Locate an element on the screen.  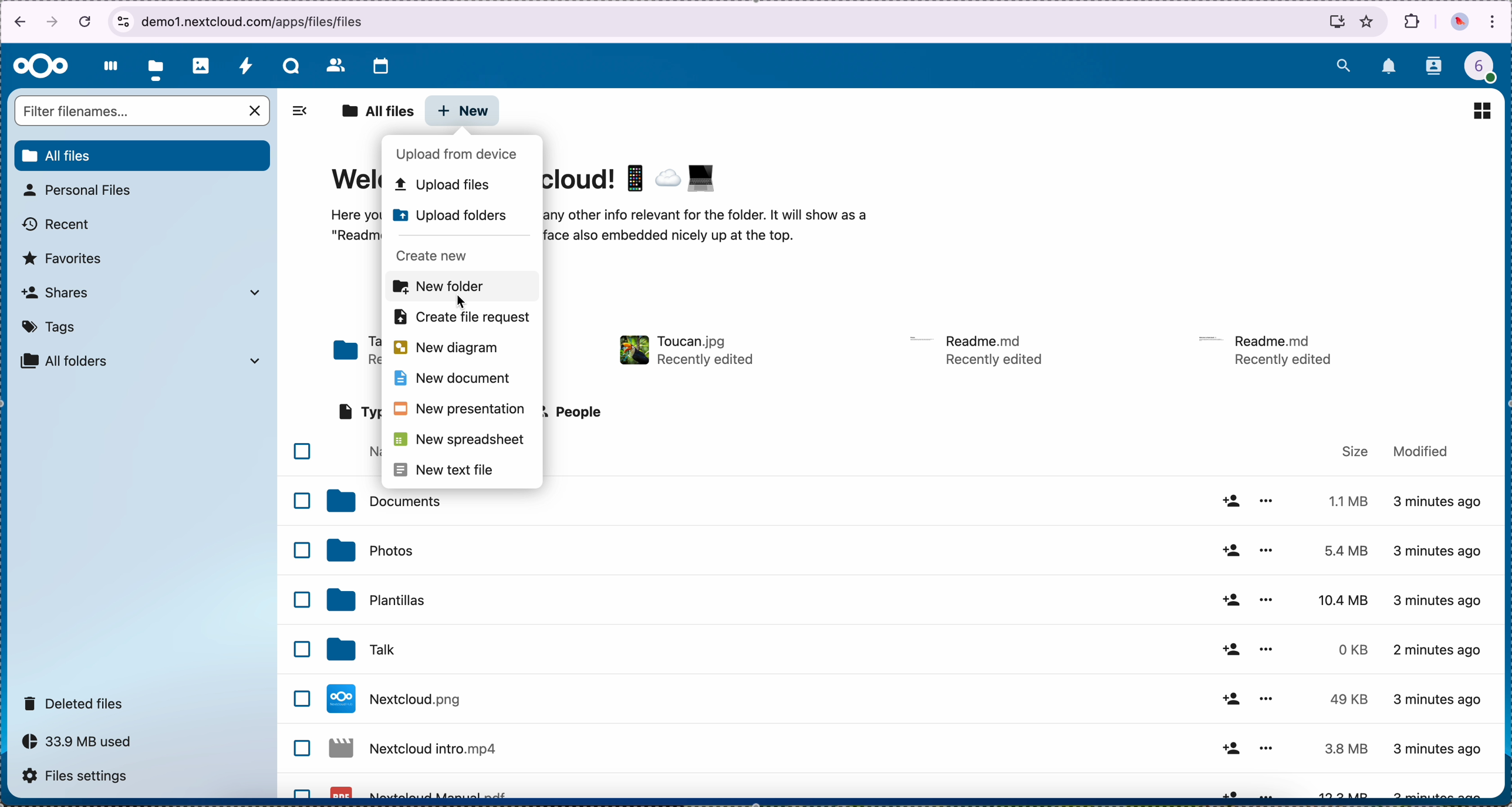
checkboxes is located at coordinates (301, 618).